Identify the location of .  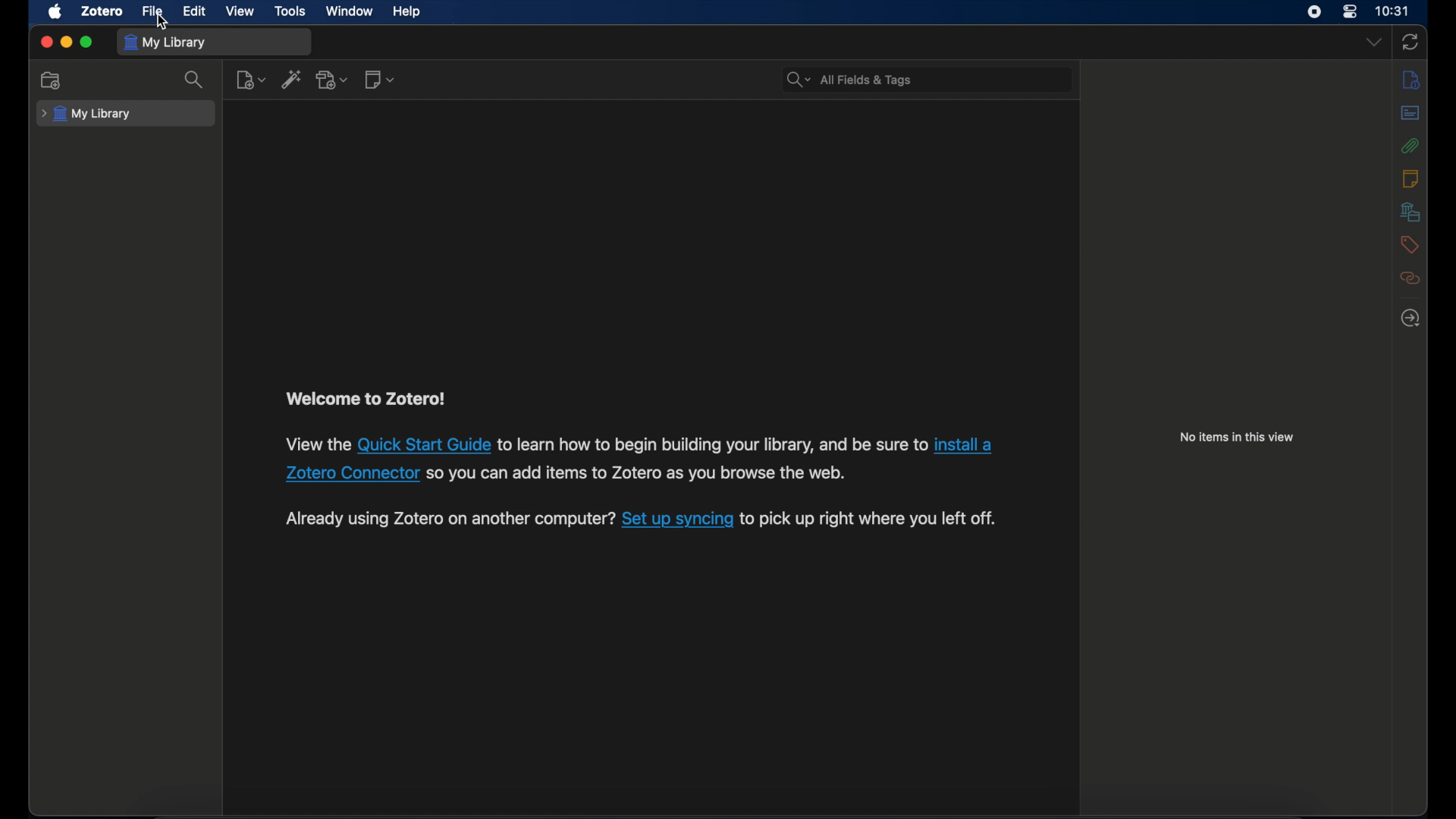
(424, 444).